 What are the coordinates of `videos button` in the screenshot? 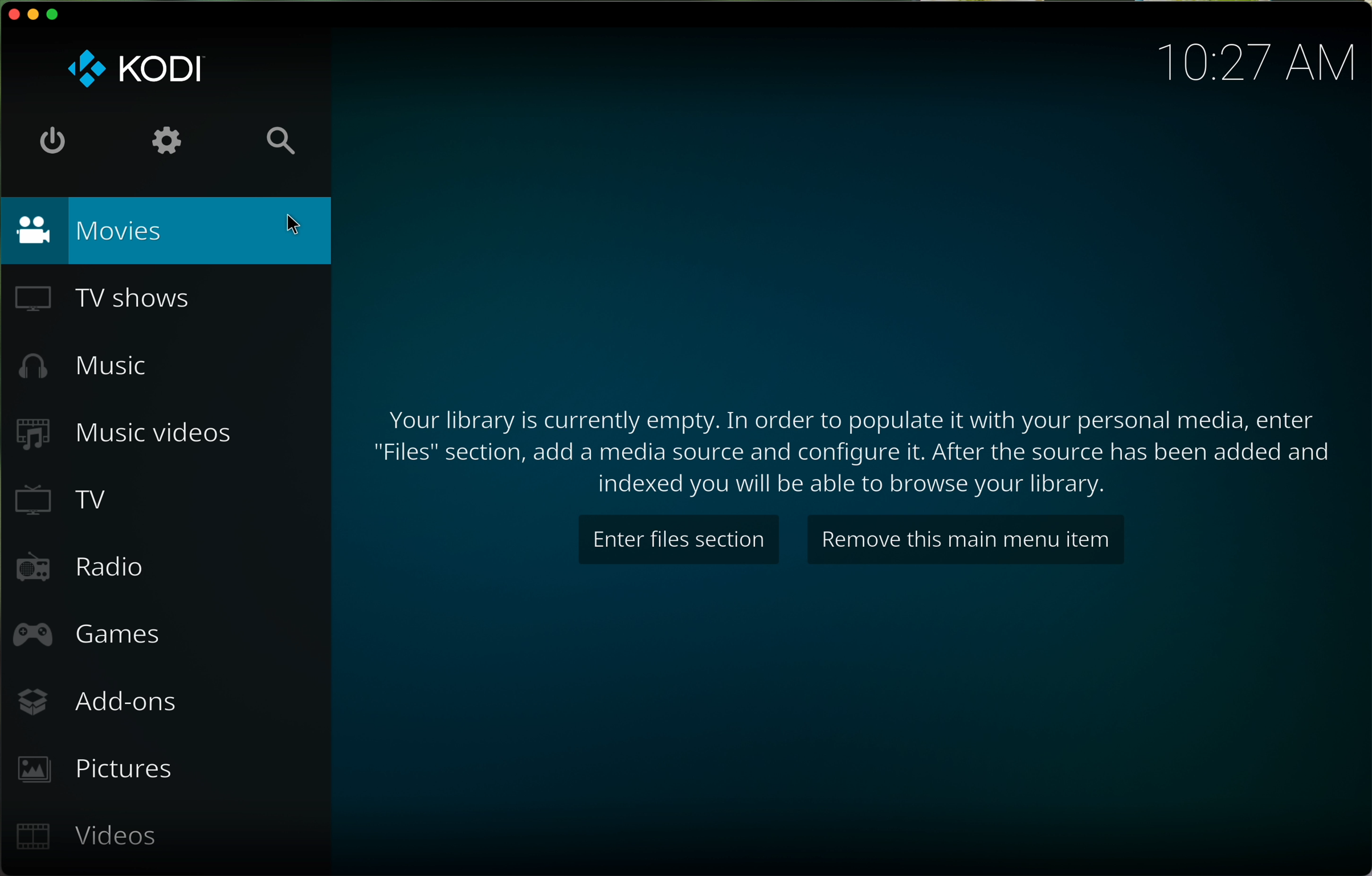 It's located at (85, 836).